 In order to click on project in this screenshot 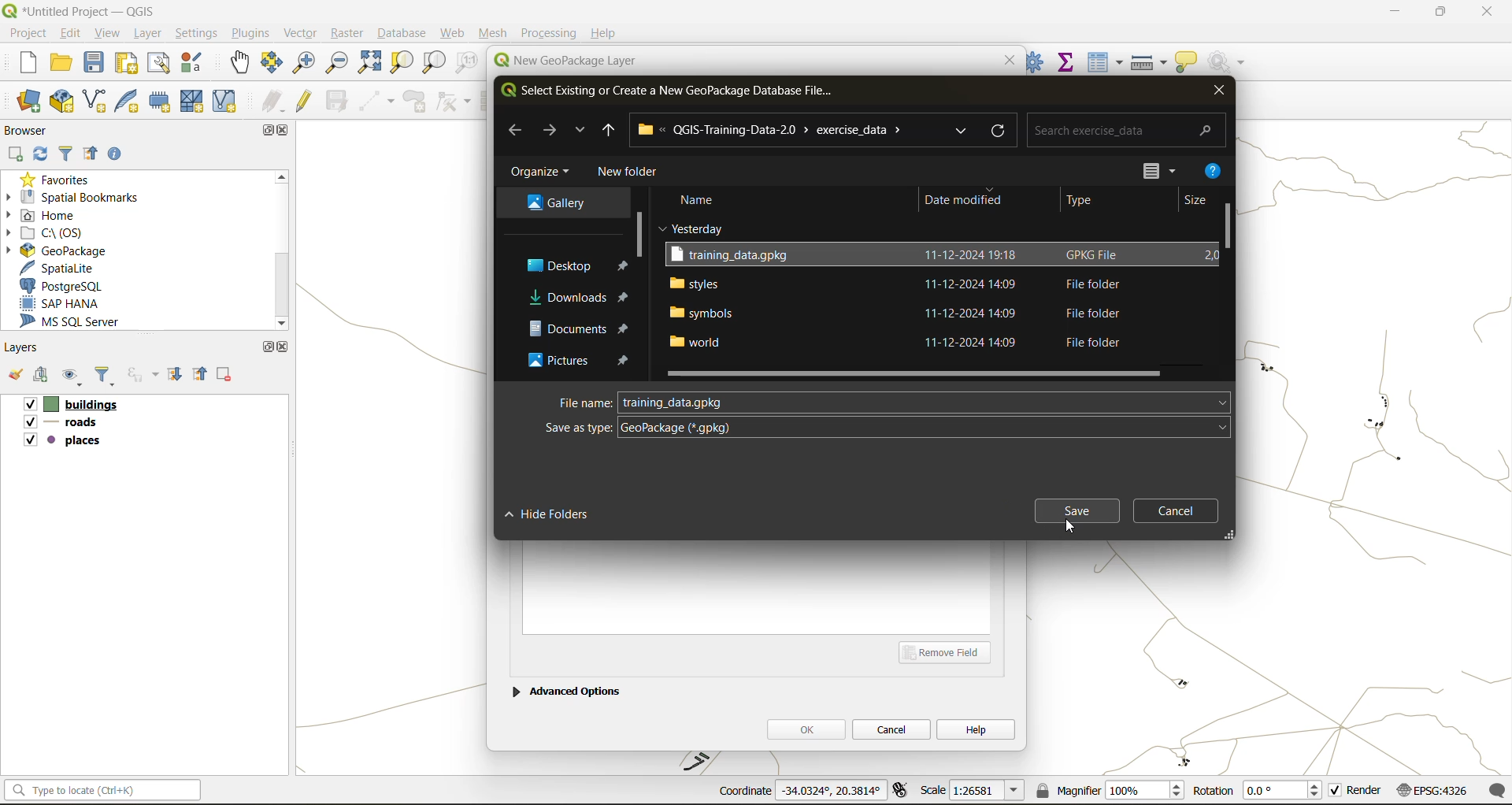, I will do `click(27, 32)`.